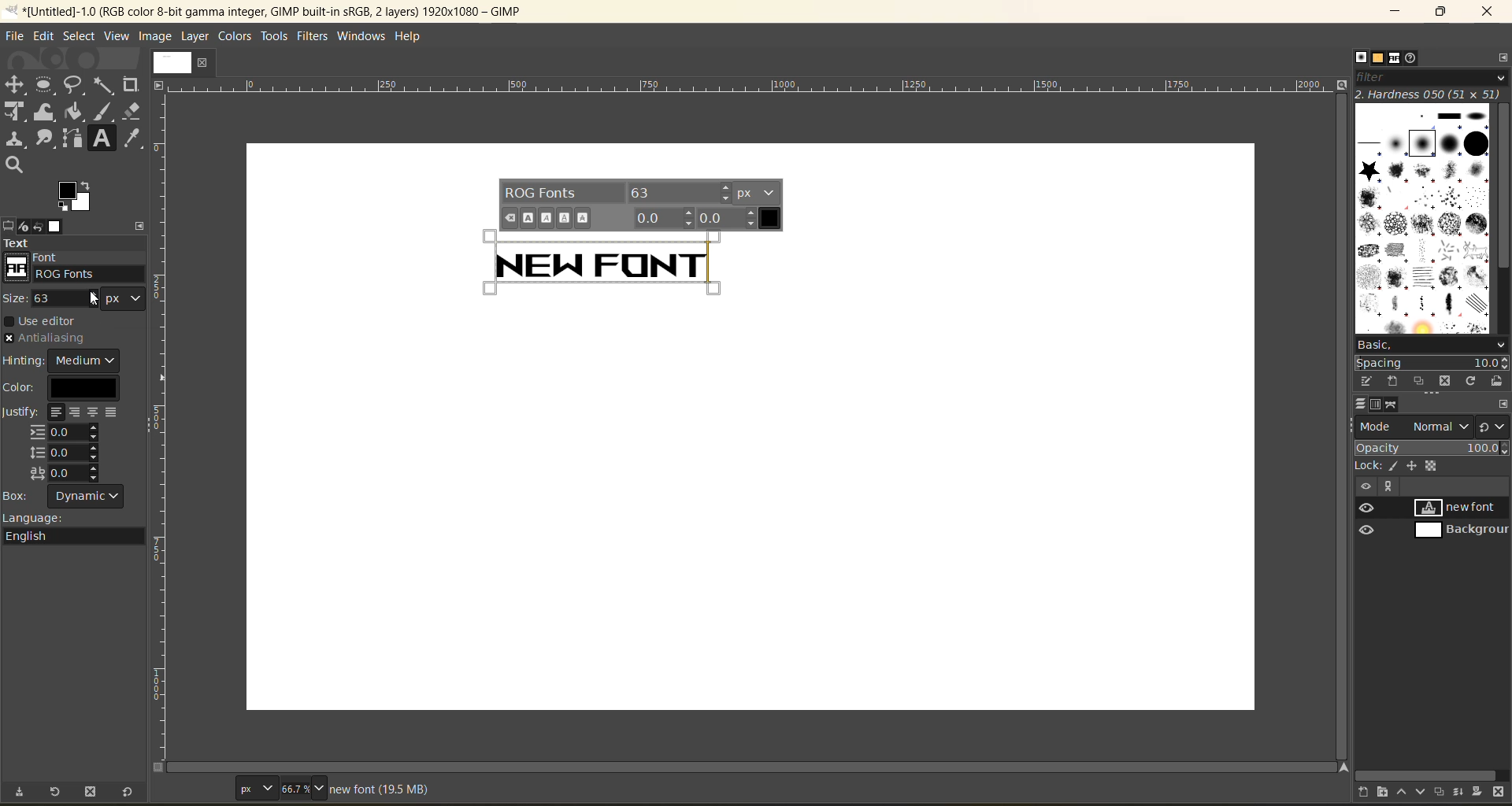 Image resolution: width=1512 pixels, height=806 pixels. I want to click on background, so click(1464, 531).